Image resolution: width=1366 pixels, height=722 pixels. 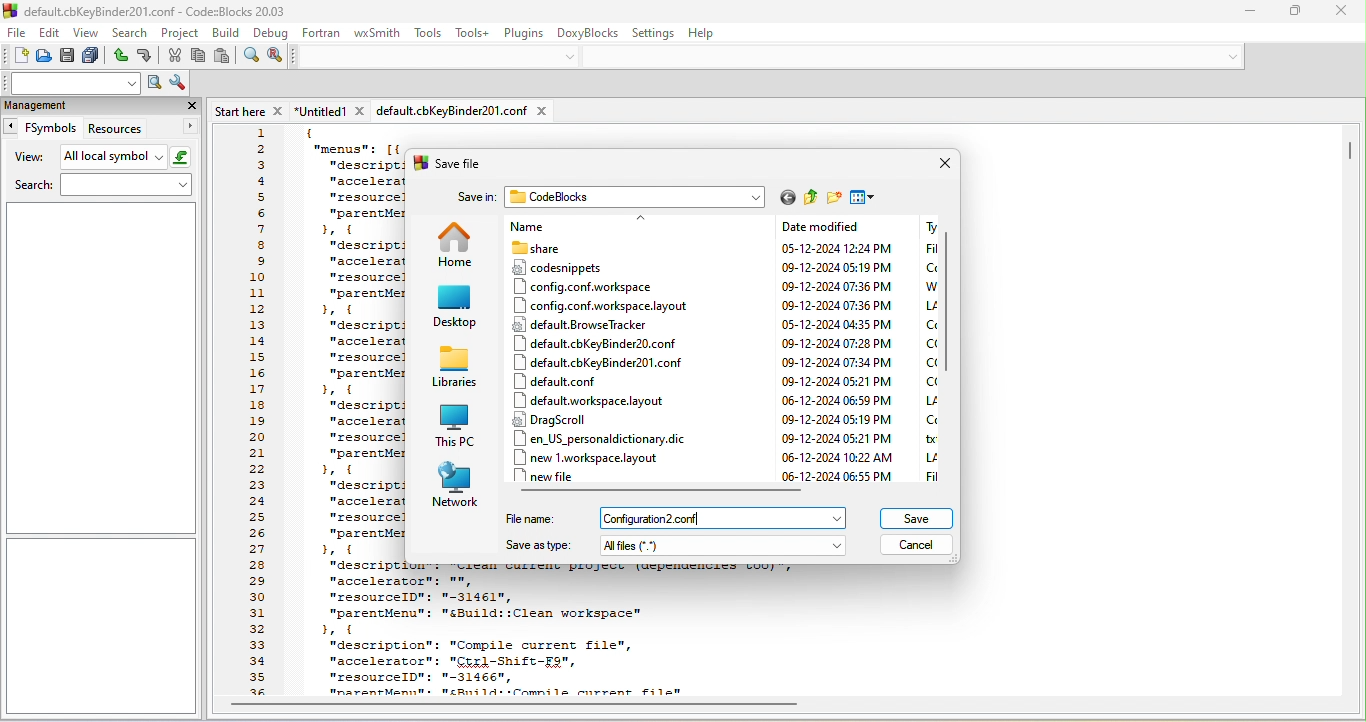 I want to click on view, so click(x=89, y=35).